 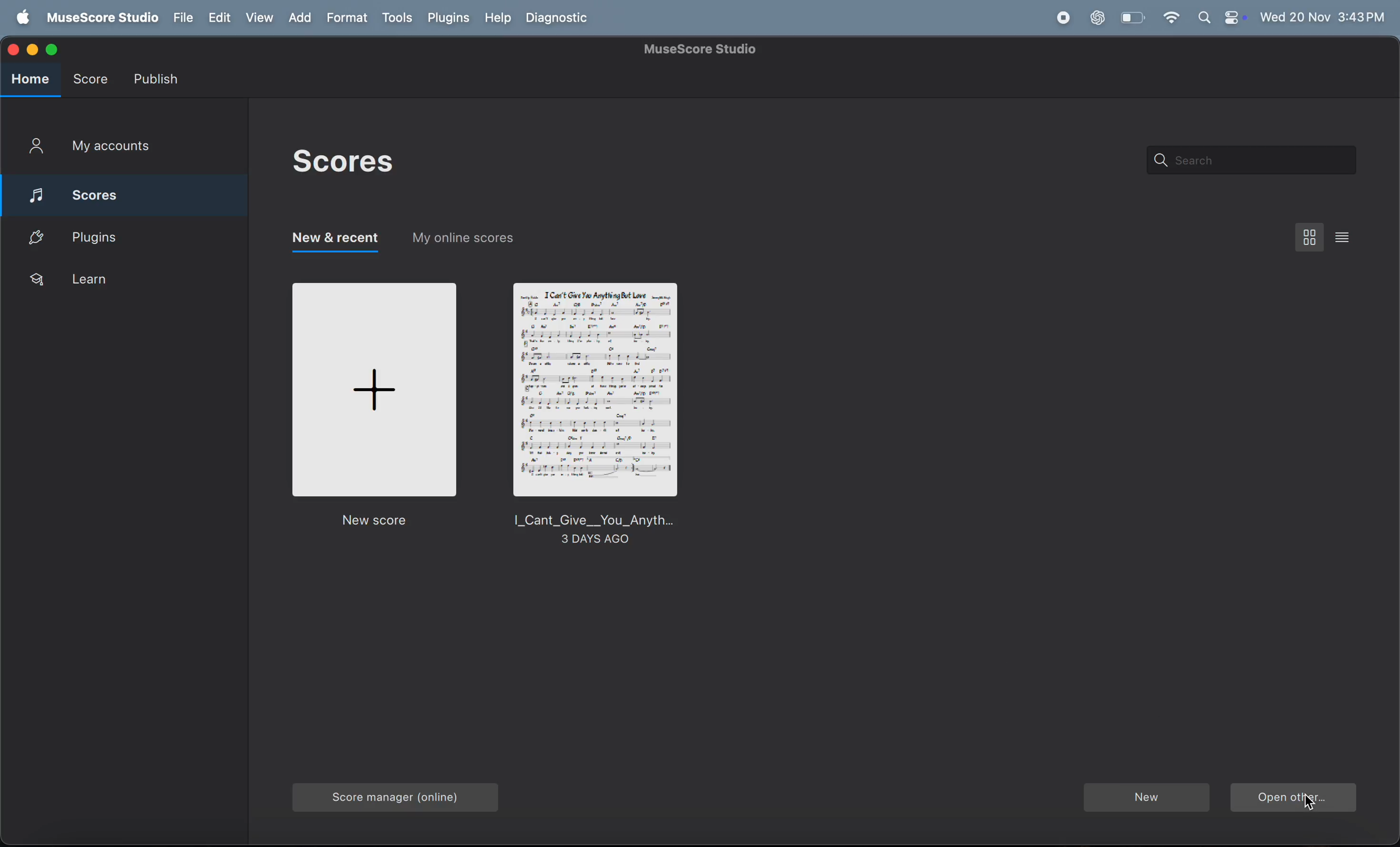 I want to click on view, so click(x=257, y=17).